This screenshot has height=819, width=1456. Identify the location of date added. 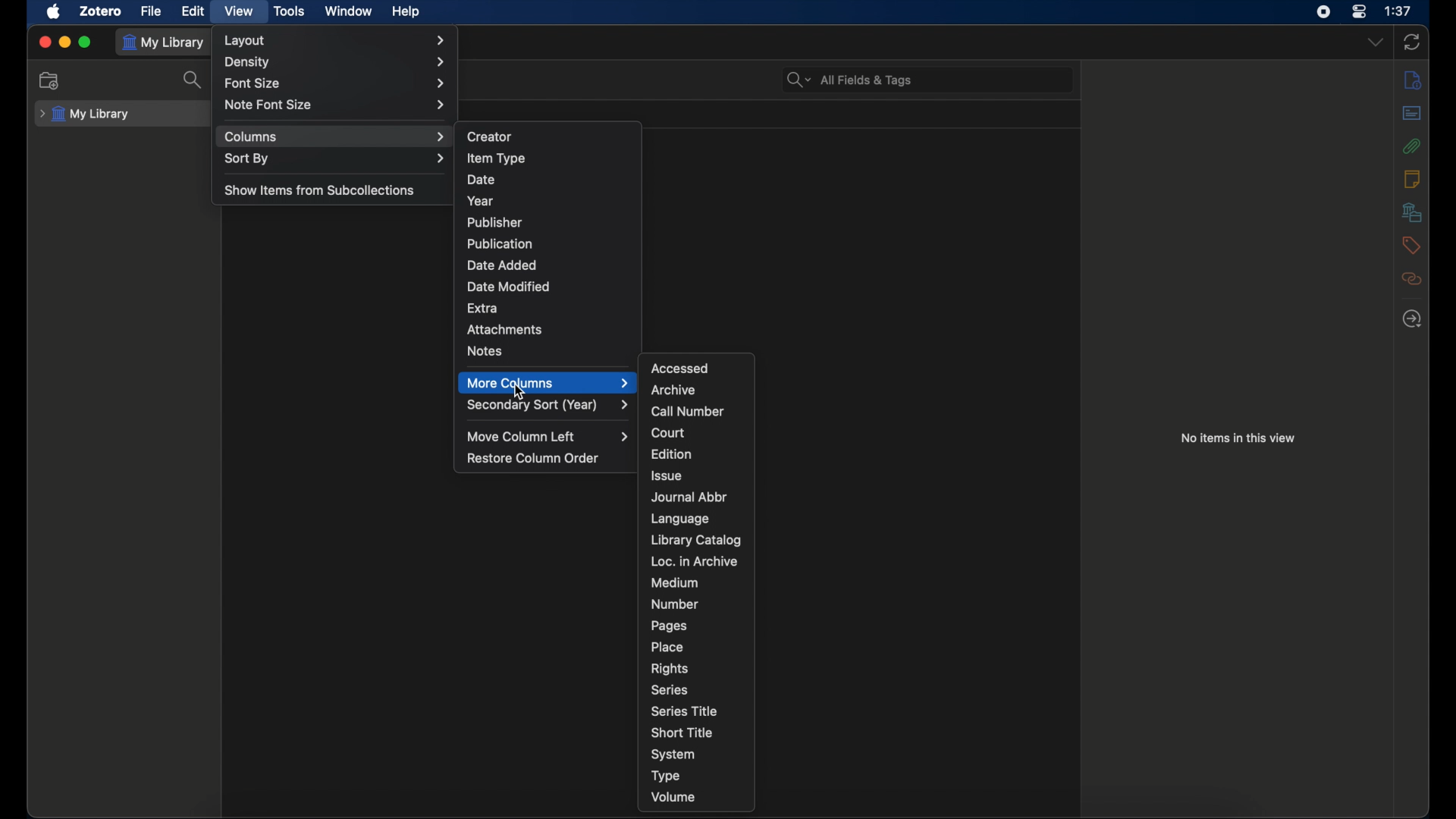
(501, 264).